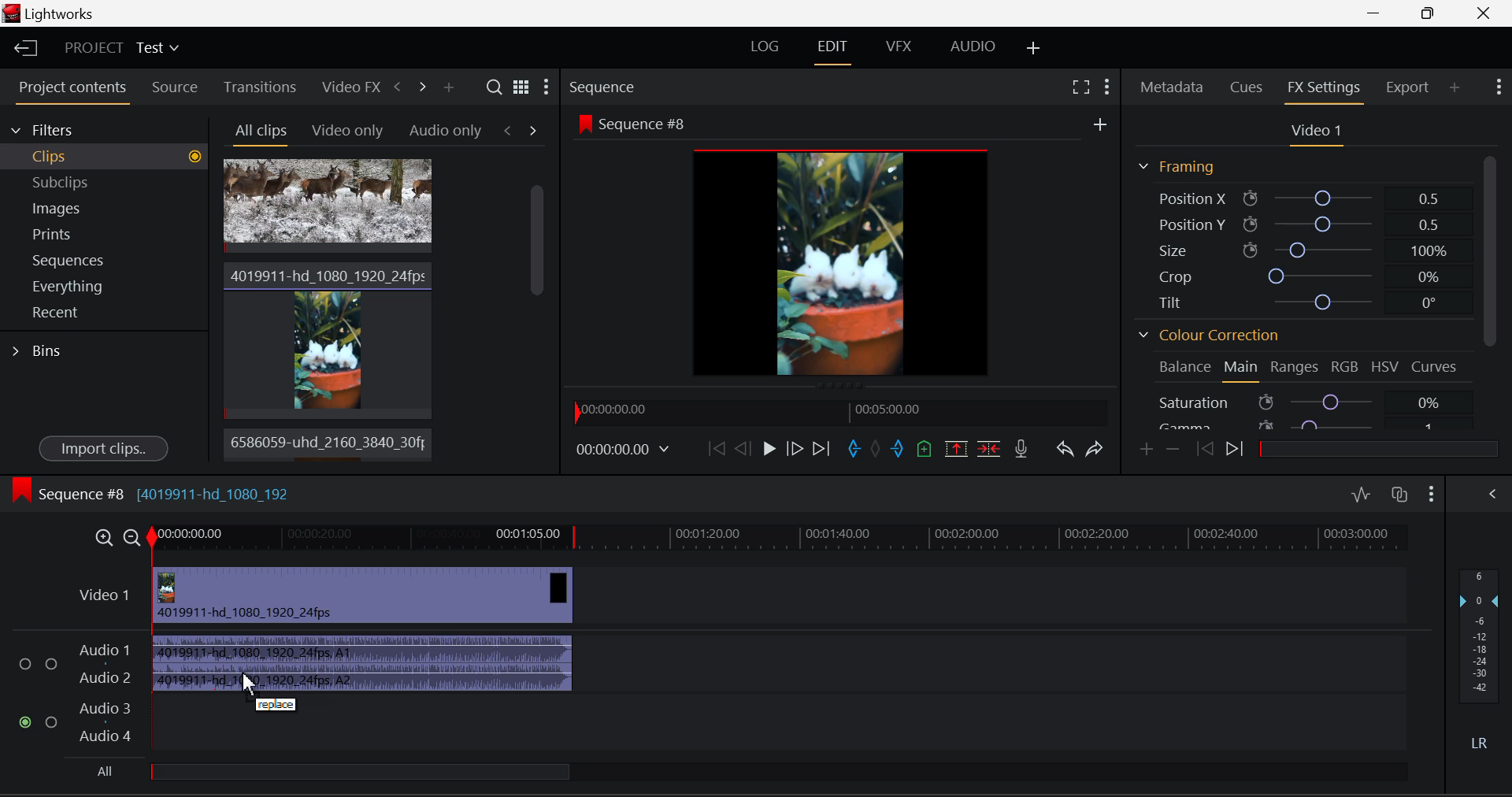 The height and width of the screenshot is (797, 1512). What do you see at coordinates (822, 450) in the screenshot?
I see `To End` at bounding box center [822, 450].